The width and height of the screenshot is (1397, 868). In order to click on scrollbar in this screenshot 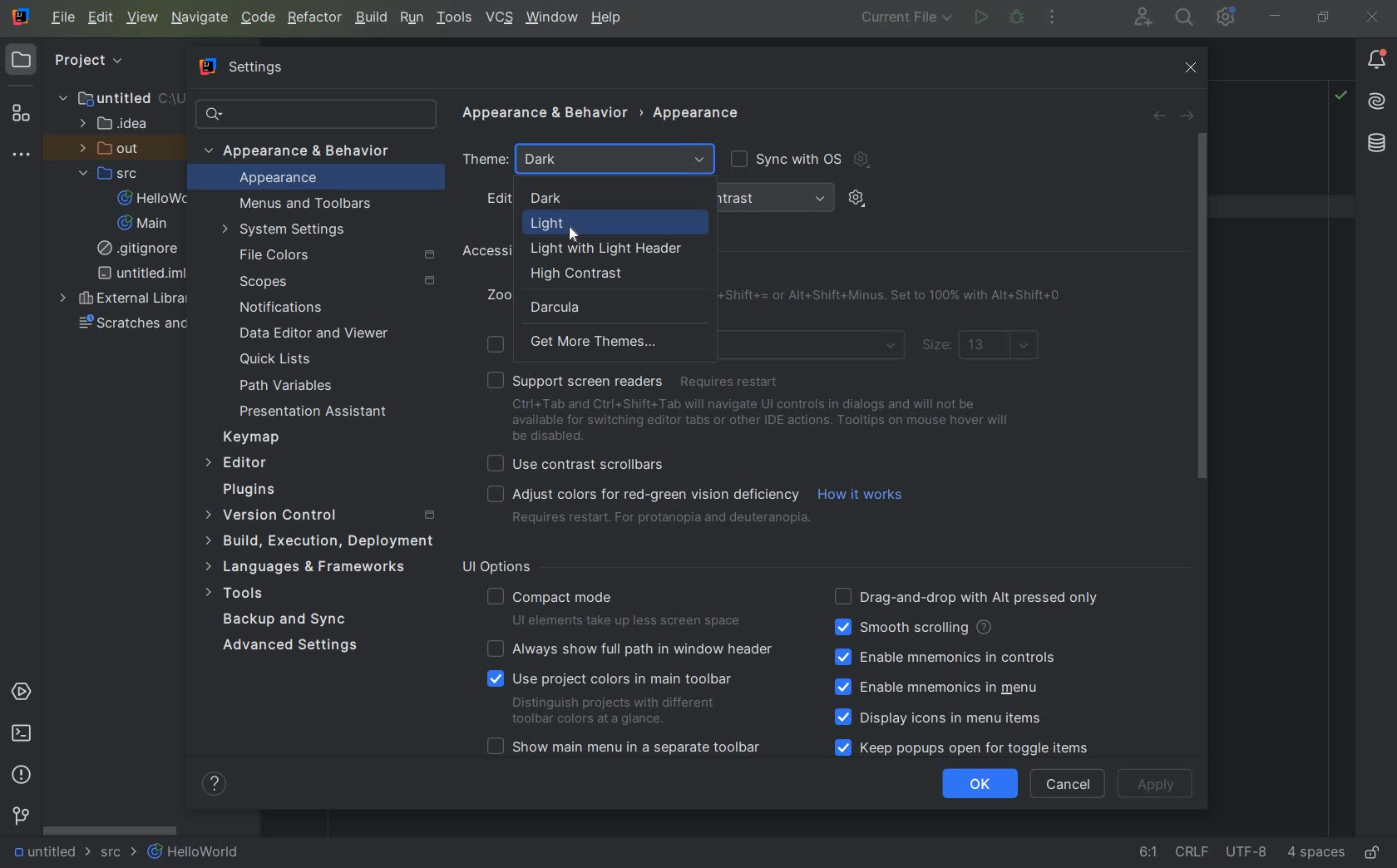, I will do `click(1201, 307)`.